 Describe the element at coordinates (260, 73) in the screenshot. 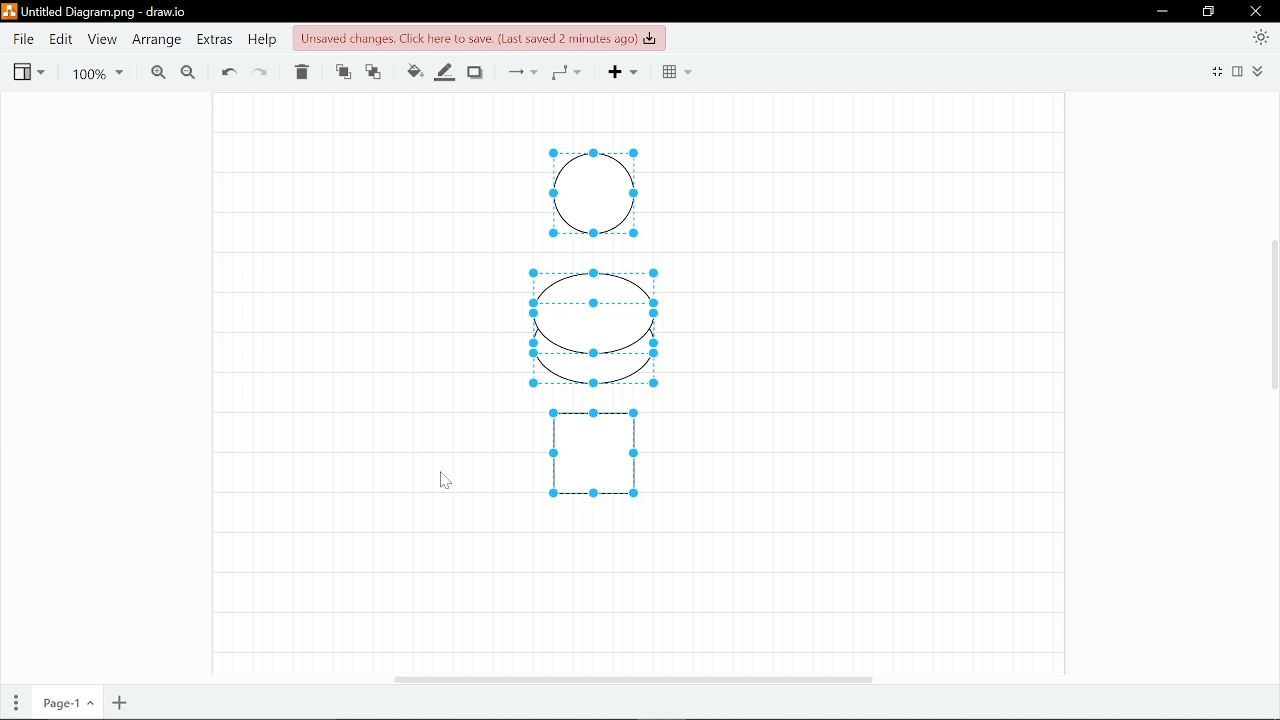

I see `Redo` at that location.